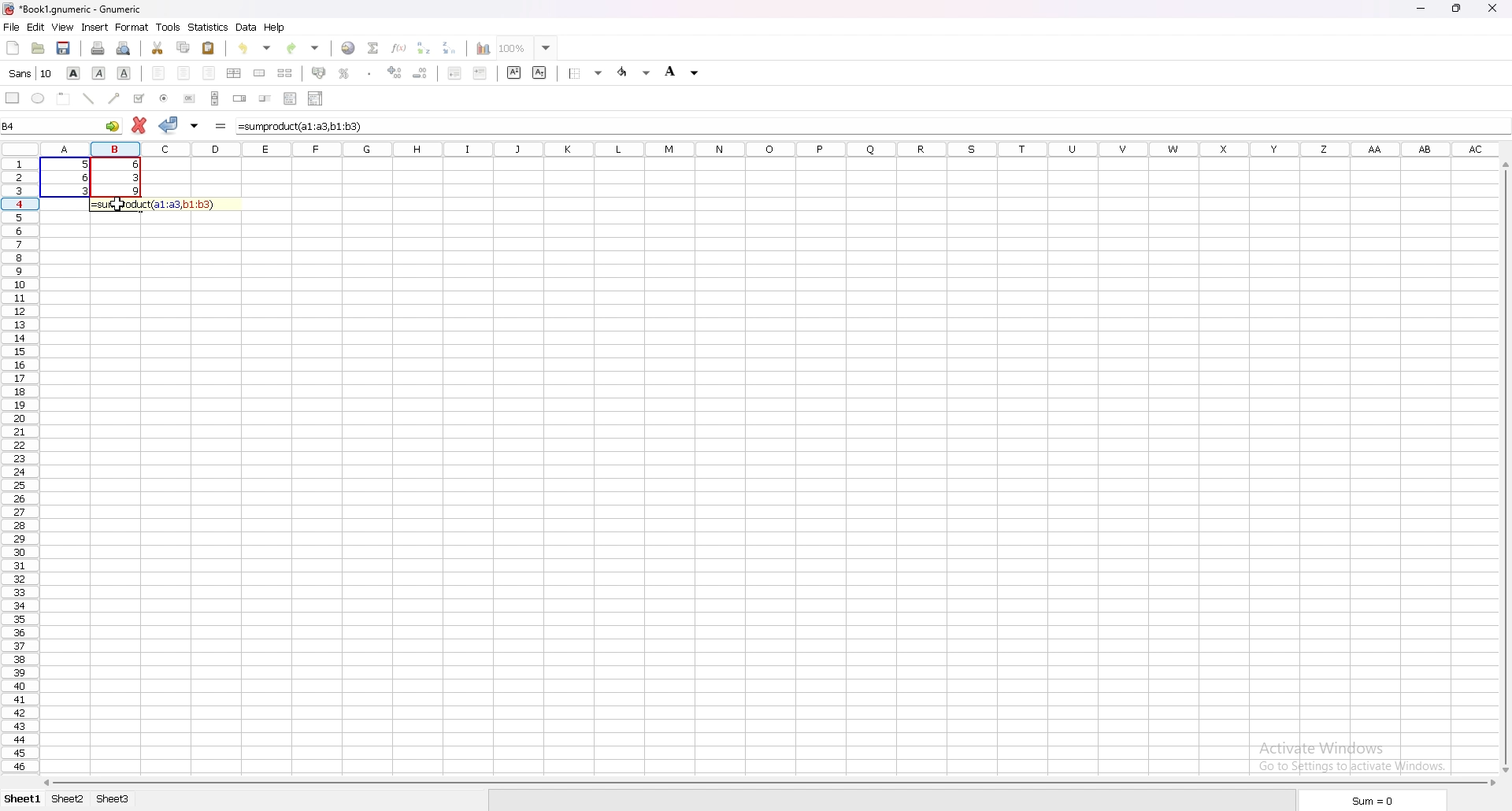 Image resolution: width=1512 pixels, height=811 pixels. What do you see at coordinates (306, 47) in the screenshot?
I see `redo` at bounding box center [306, 47].